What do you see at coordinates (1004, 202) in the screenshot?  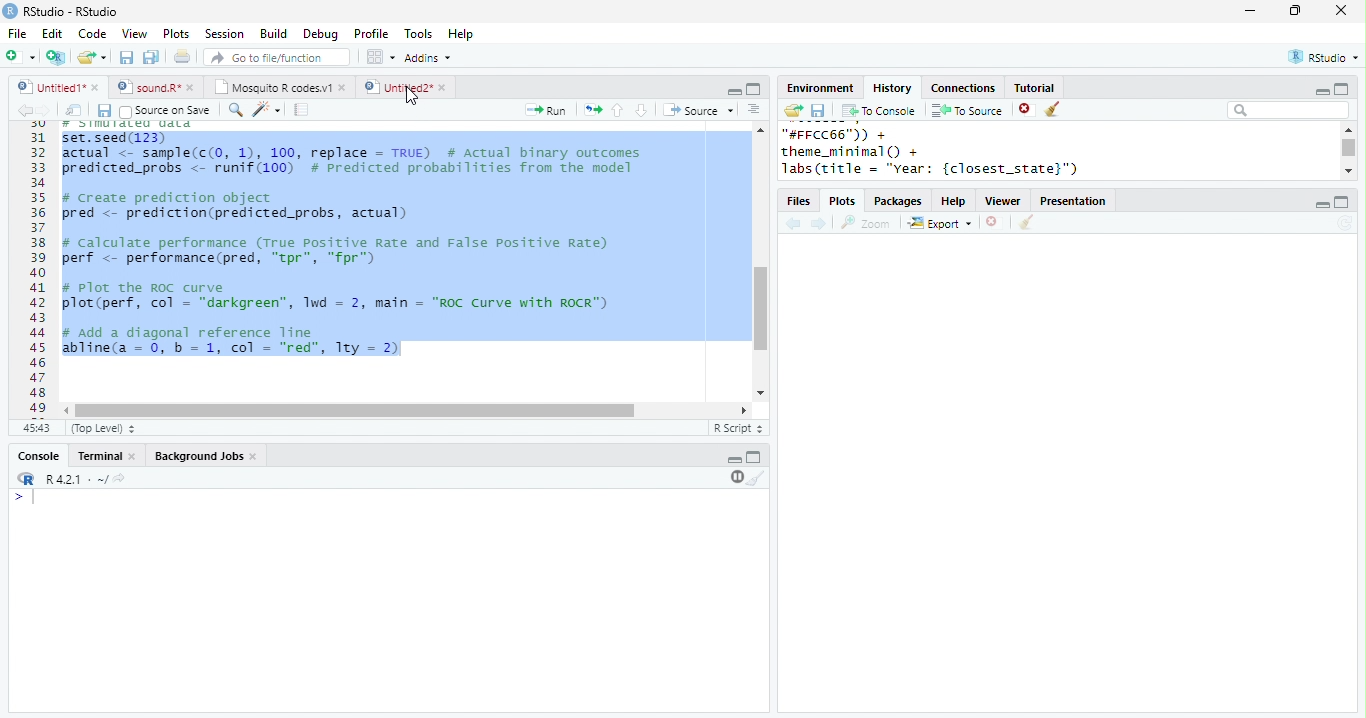 I see `Viewer` at bounding box center [1004, 202].